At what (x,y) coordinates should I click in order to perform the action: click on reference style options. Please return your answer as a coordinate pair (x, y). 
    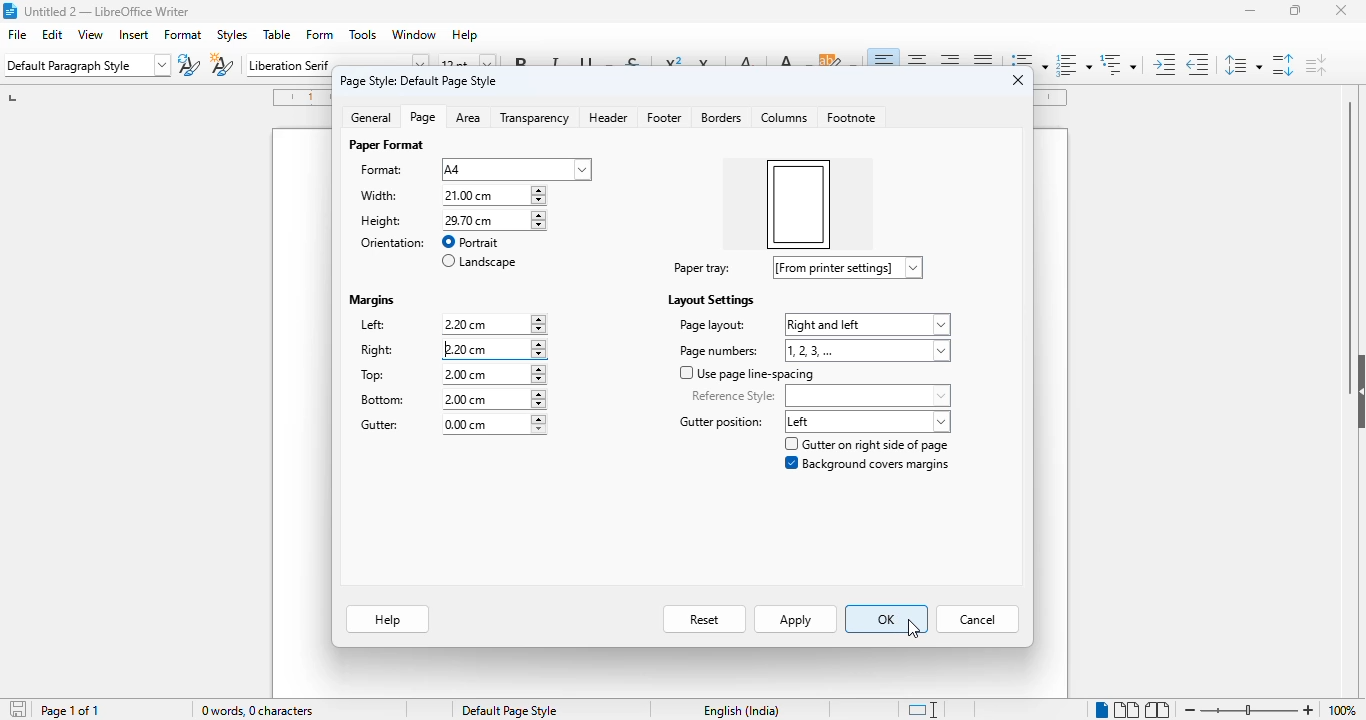
    Looking at the image, I should click on (871, 396).